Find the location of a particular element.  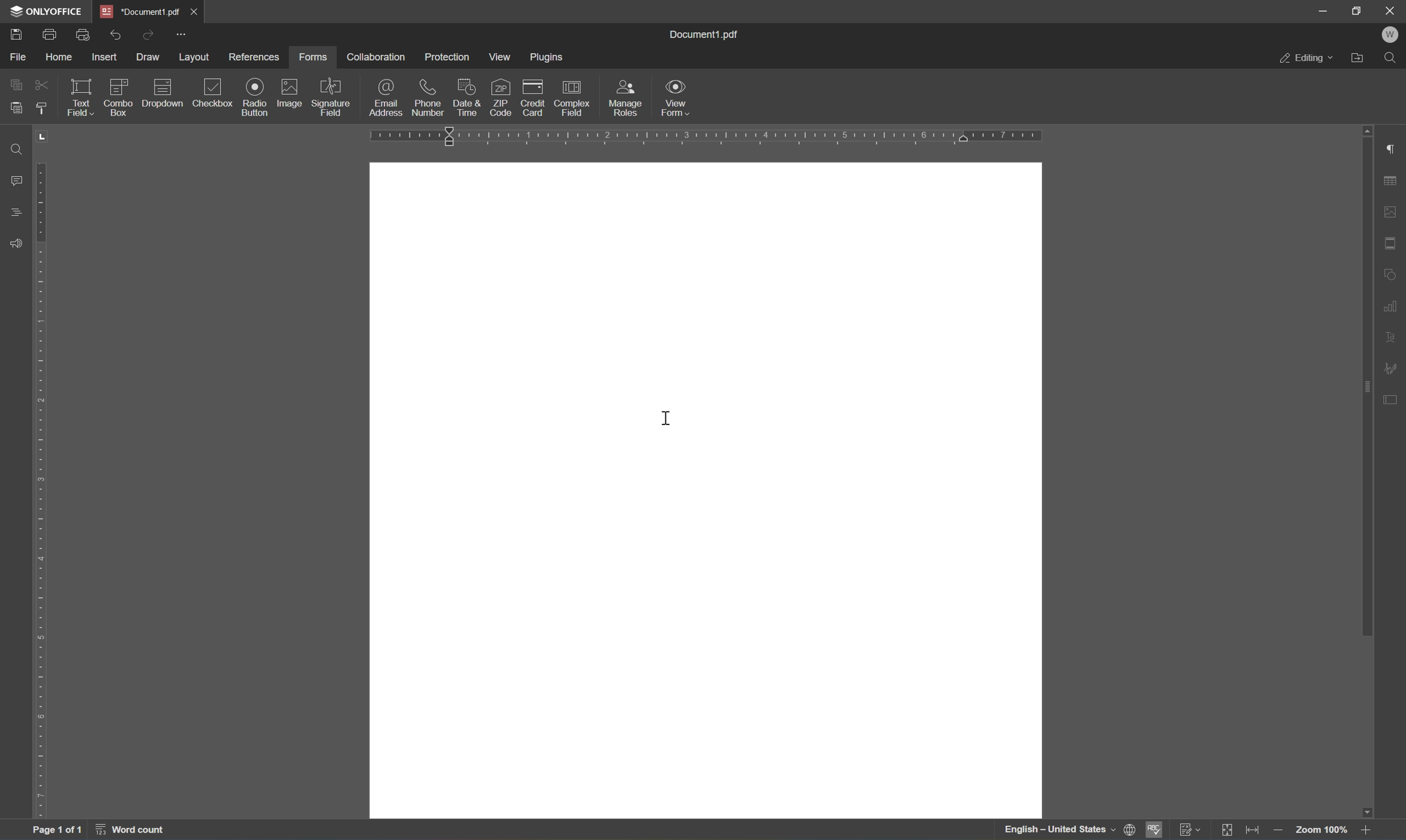

ONLYOFFICE is located at coordinates (44, 11).